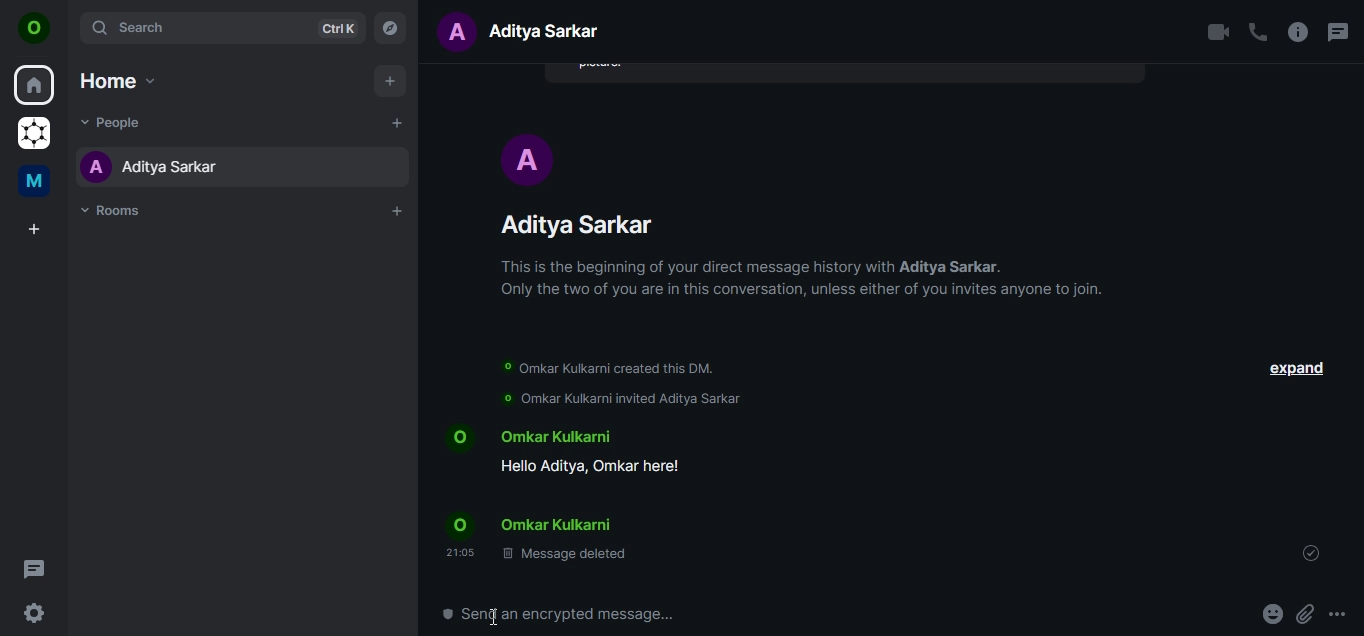 The image size is (1364, 636). What do you see at coordinates (398, 123) in the screenshot?
I see `start chat` at bounding box center [398, 123].